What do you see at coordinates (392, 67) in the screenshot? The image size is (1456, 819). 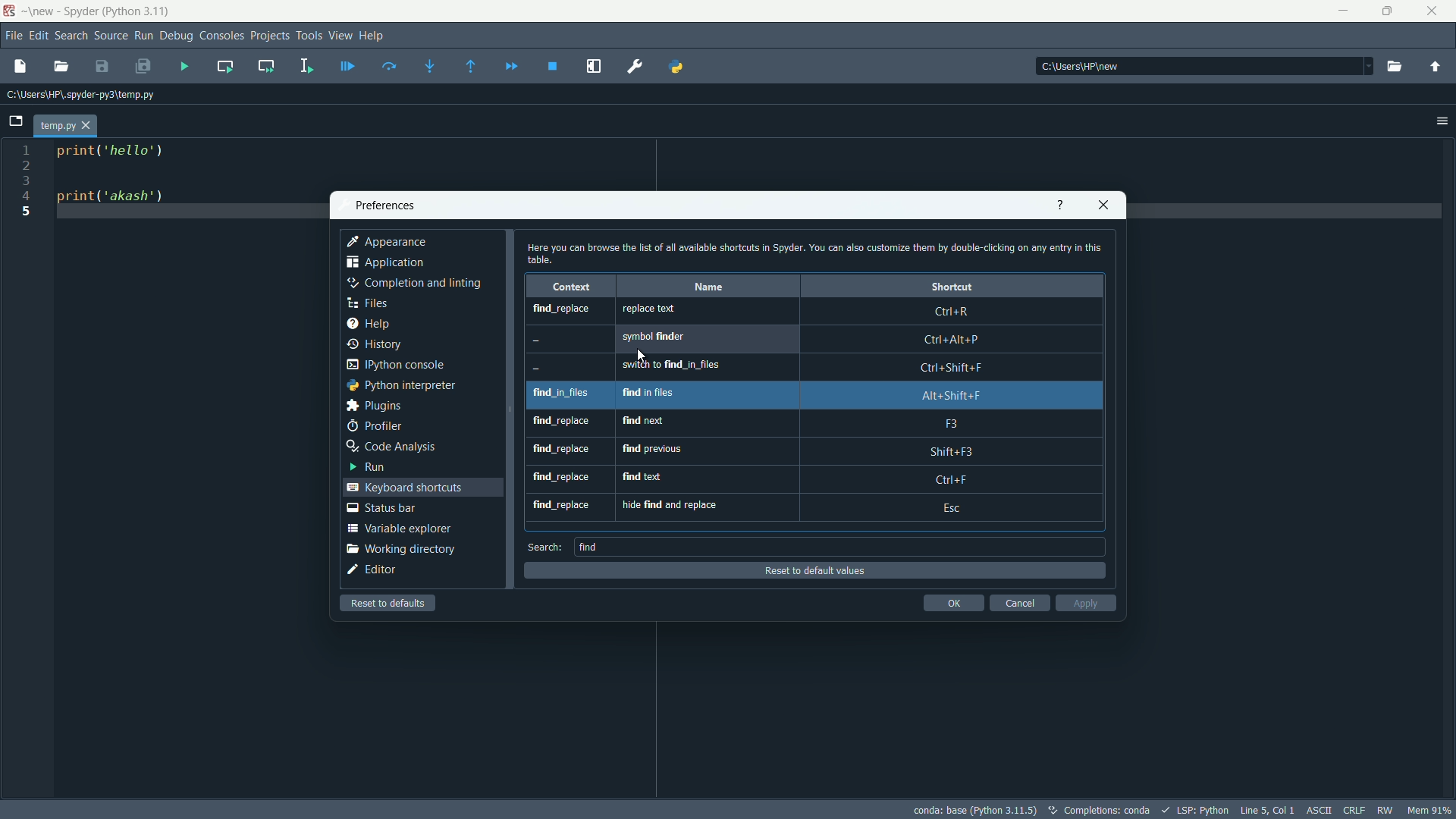 I see `run current line` at bounding box center [392, 67].